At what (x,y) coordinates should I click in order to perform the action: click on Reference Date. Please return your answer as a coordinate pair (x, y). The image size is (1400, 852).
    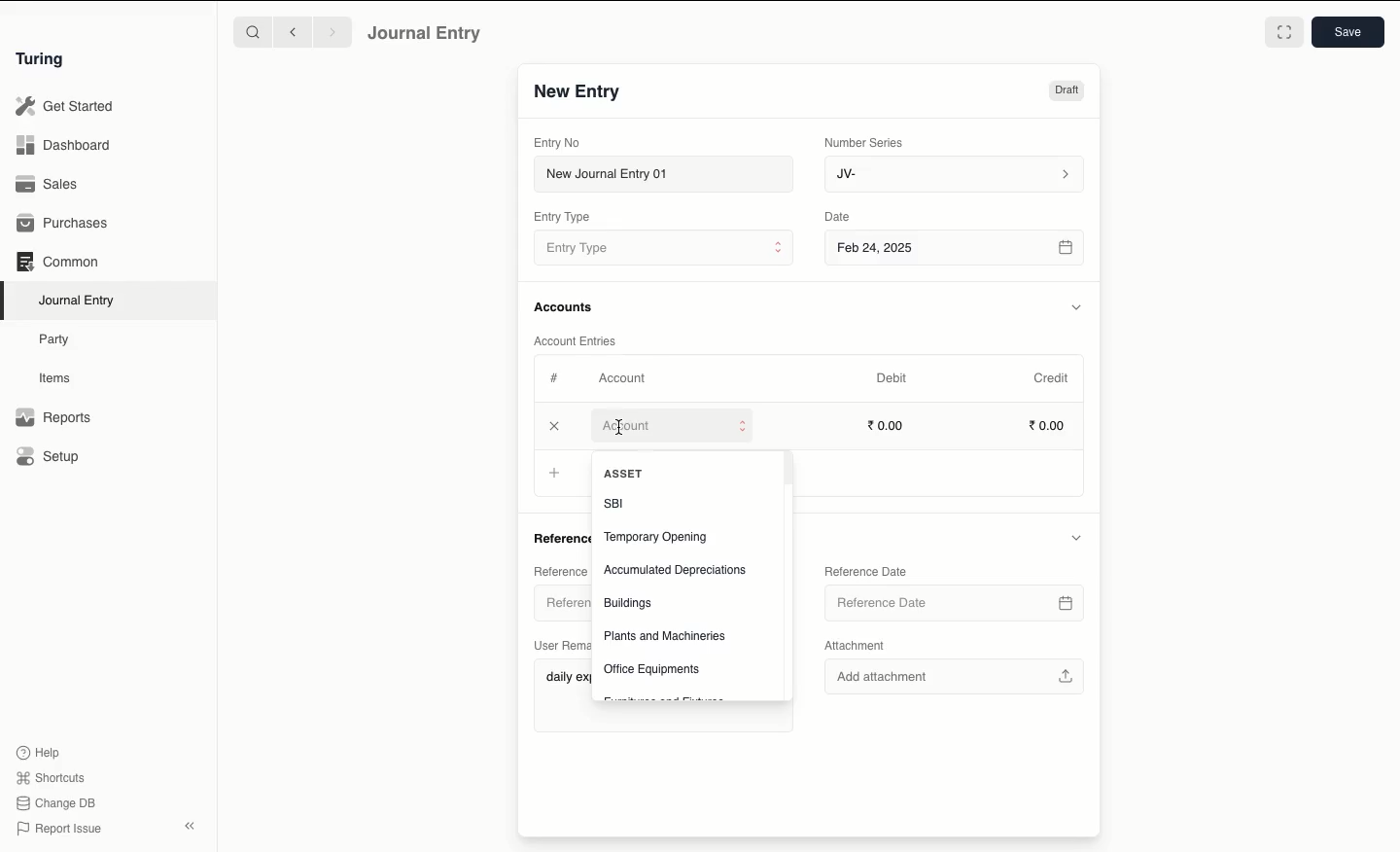
    Looking at the image, I should click on (864, 570).